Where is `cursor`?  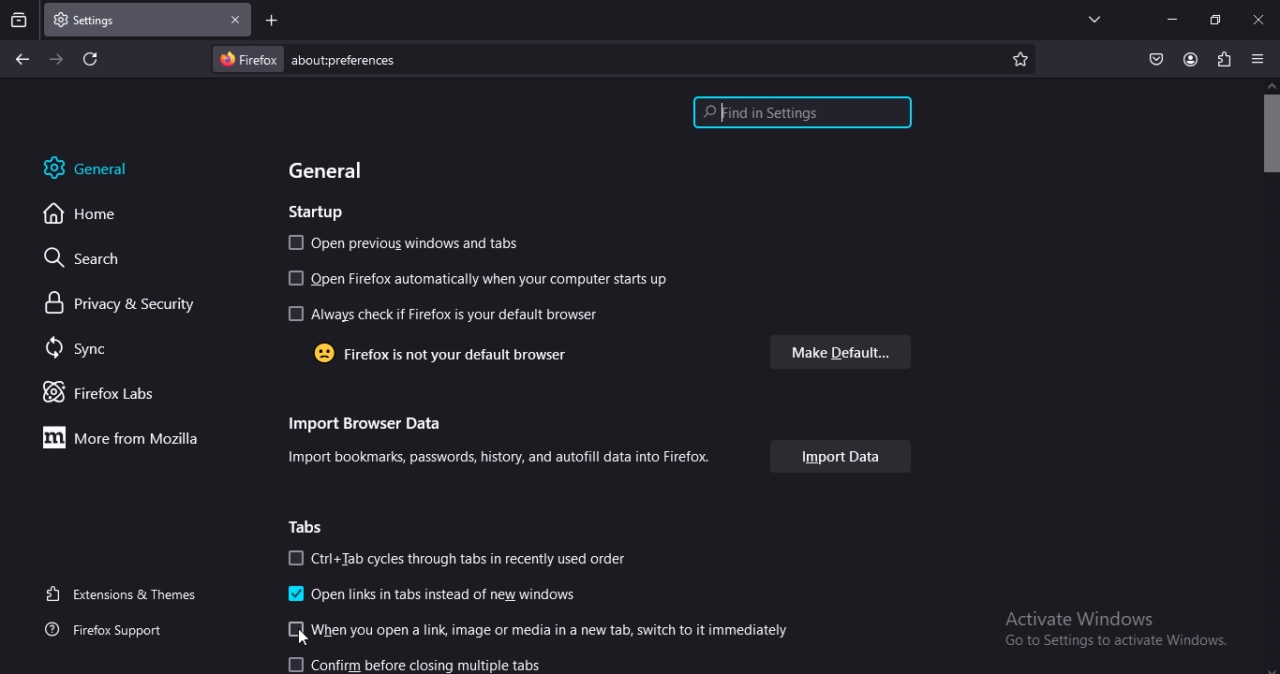
cursor is located at coordinates (301, 640).